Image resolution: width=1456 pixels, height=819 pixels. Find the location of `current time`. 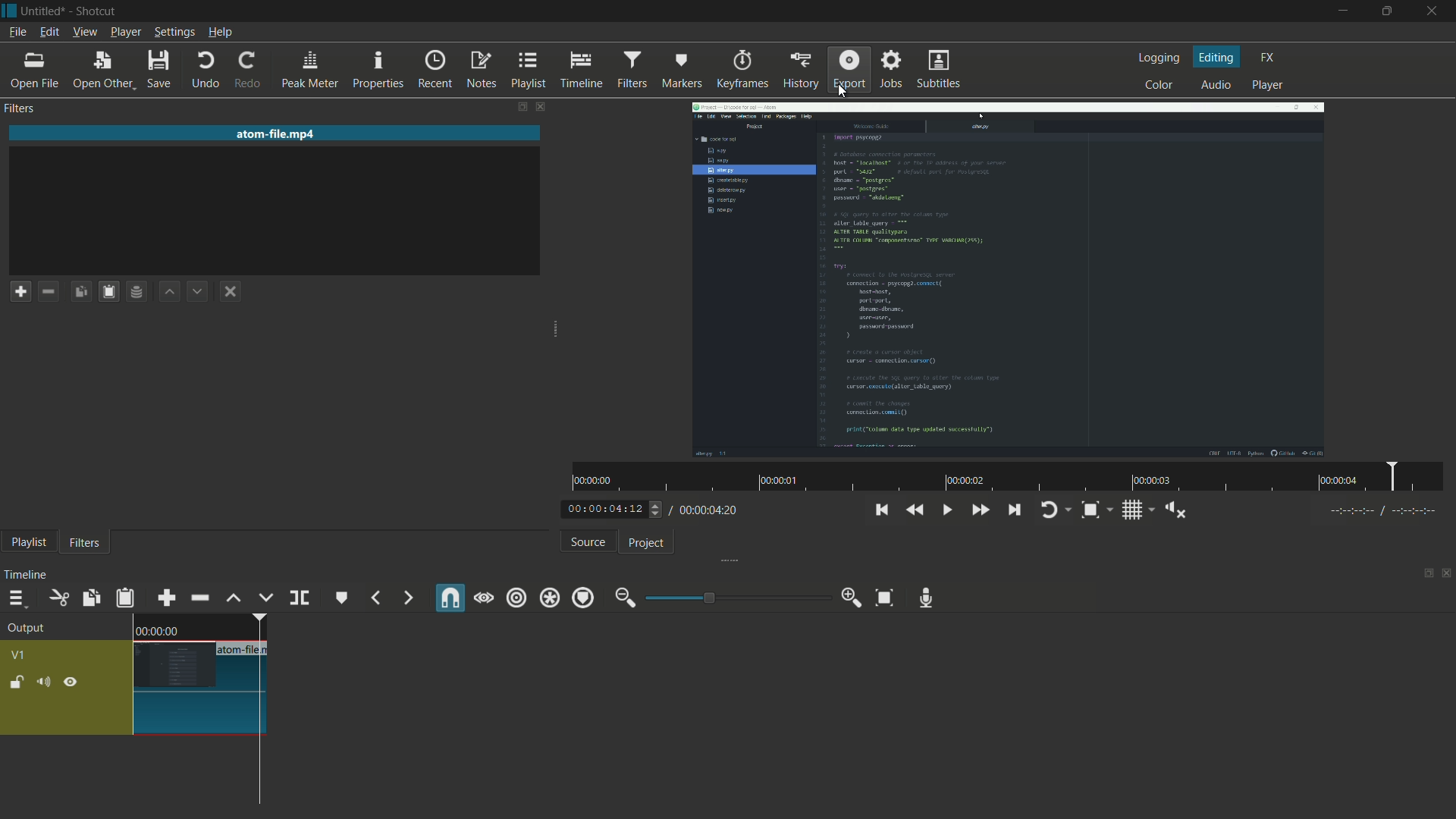

current time is located at coordinates (602, 509).